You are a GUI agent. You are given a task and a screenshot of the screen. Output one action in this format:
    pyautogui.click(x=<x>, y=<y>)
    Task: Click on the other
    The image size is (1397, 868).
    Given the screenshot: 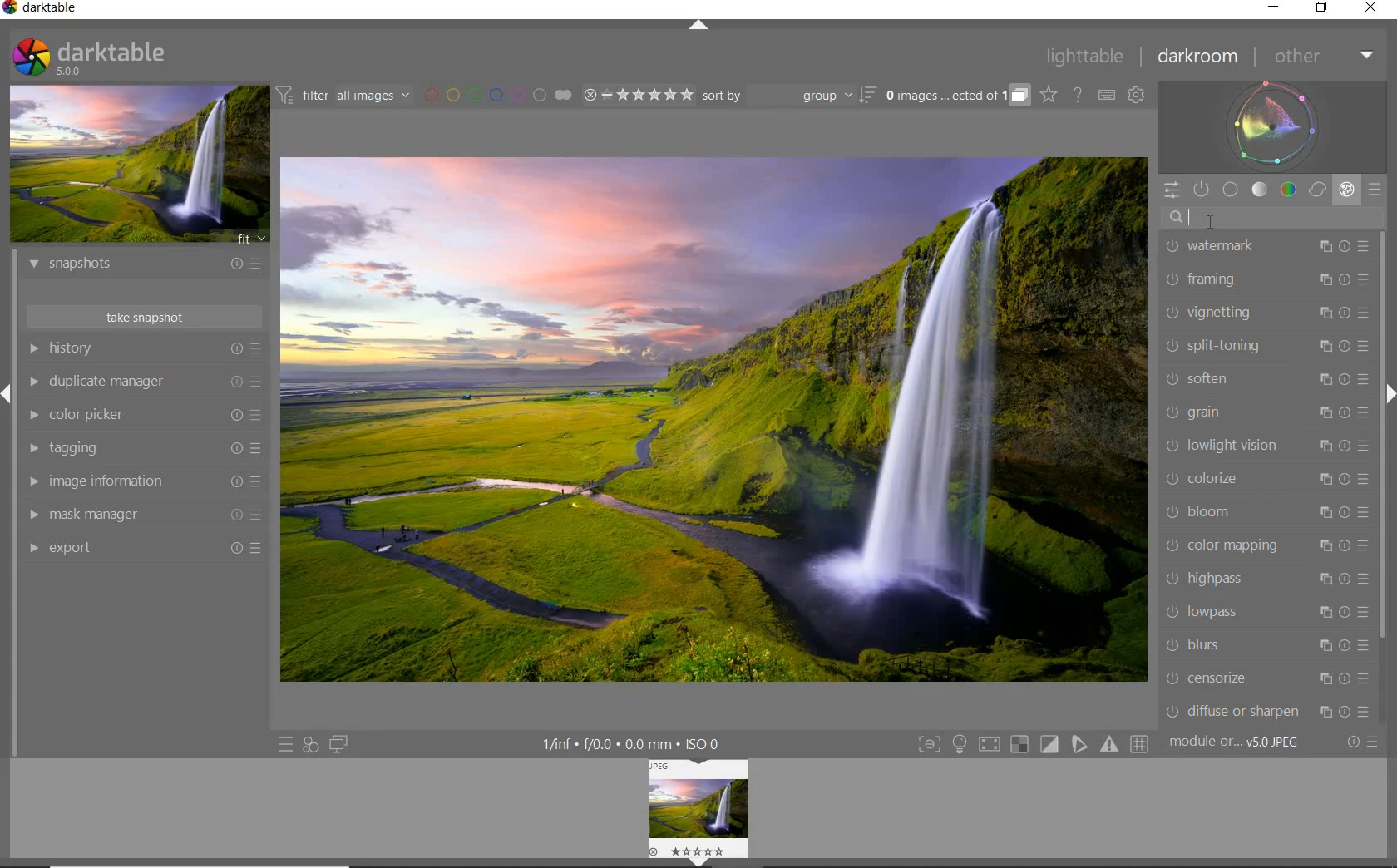 What is the action you would take?
    pyautogui.click(x=1320, y=56)
    